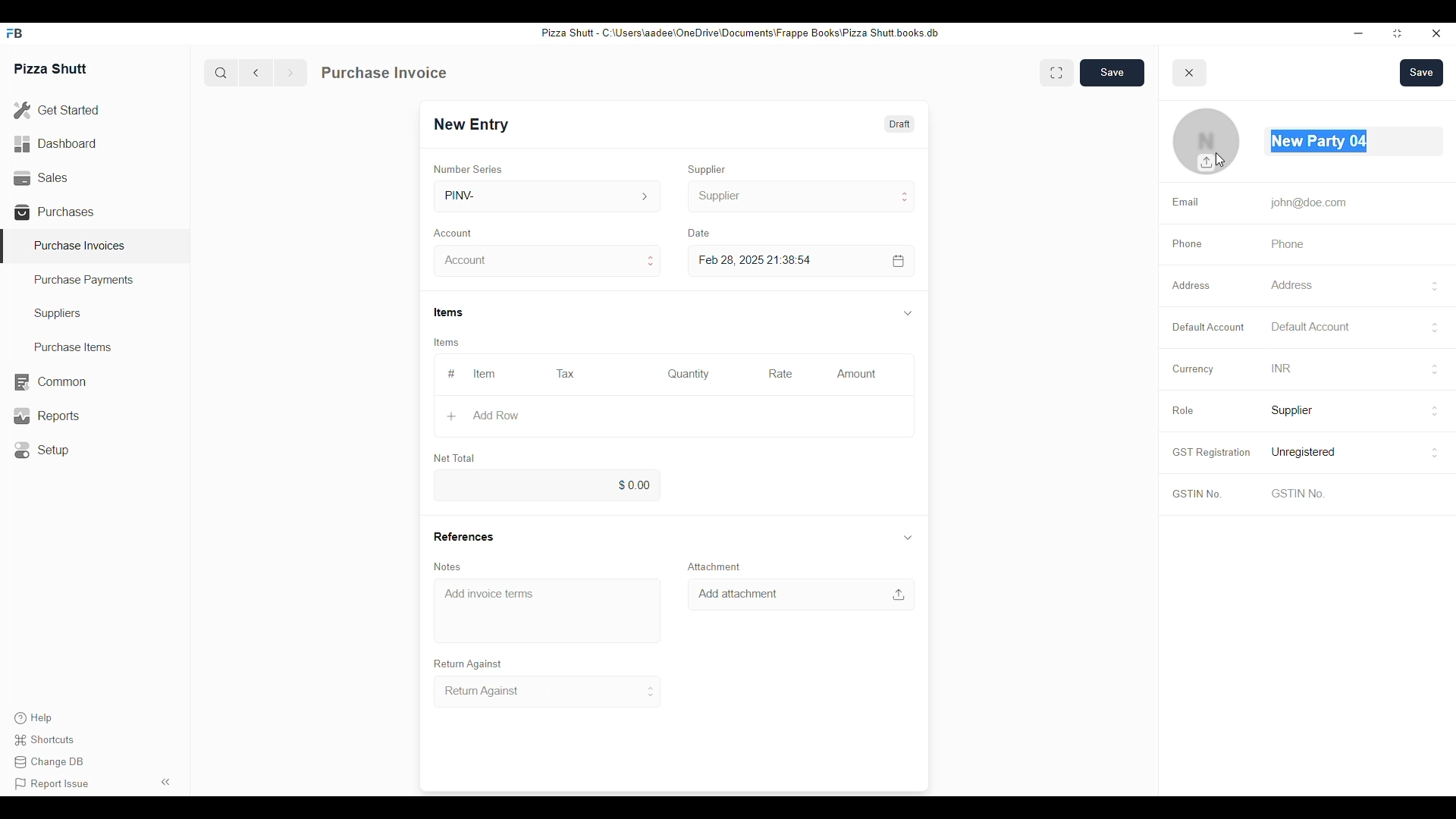 This screenshot has height=819, width=1456. Describe the element at coordinates (1210, 452) in the screenshot. I see `GST Registration` at that location.